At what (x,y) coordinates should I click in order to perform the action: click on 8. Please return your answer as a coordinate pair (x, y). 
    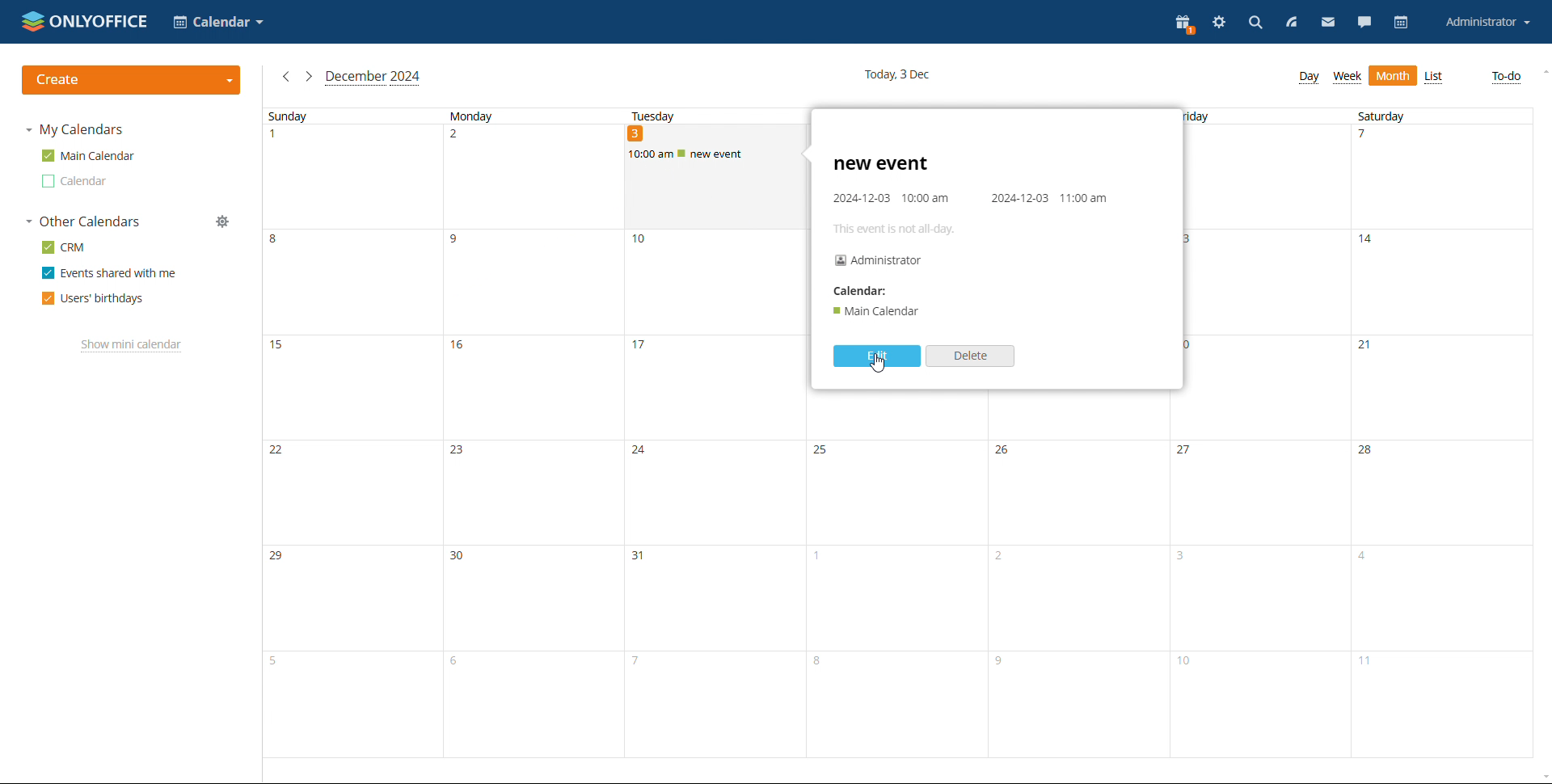
    Looking at the image, I should click on (895, 704).